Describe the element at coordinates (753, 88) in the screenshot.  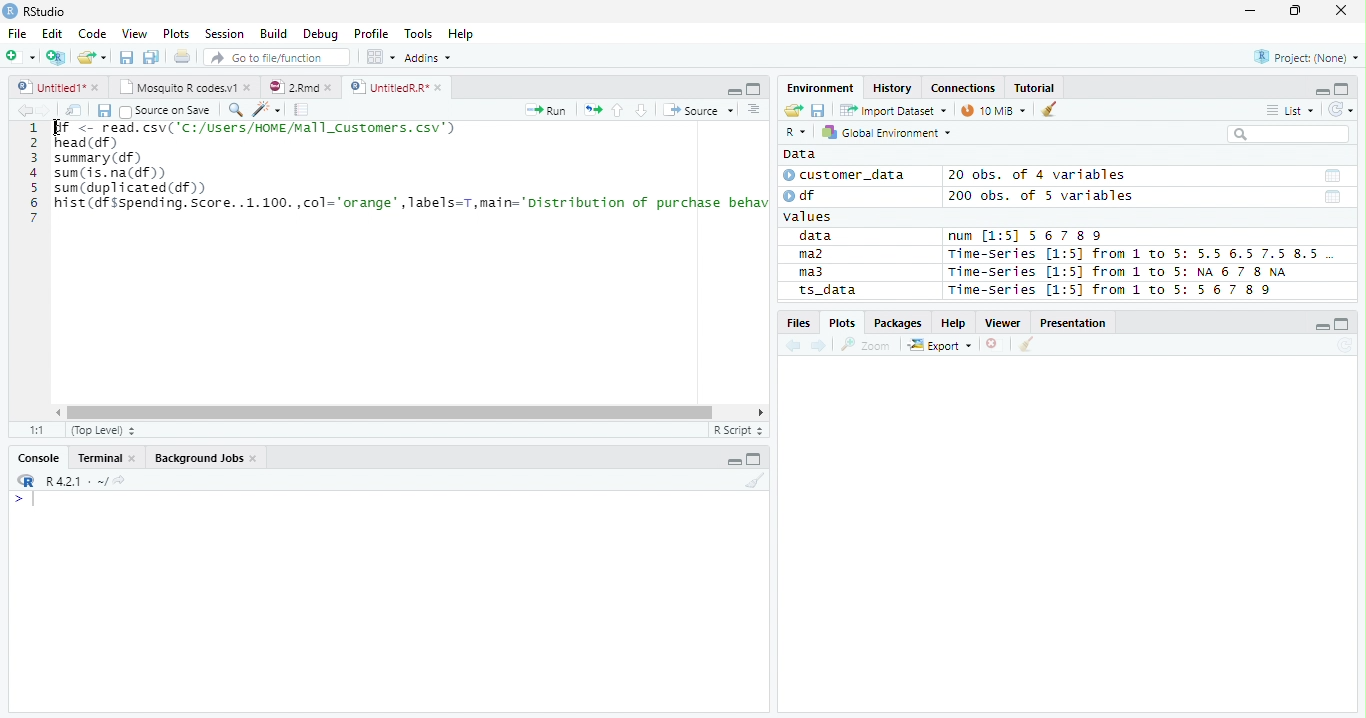
I see `Maximize` at that location.